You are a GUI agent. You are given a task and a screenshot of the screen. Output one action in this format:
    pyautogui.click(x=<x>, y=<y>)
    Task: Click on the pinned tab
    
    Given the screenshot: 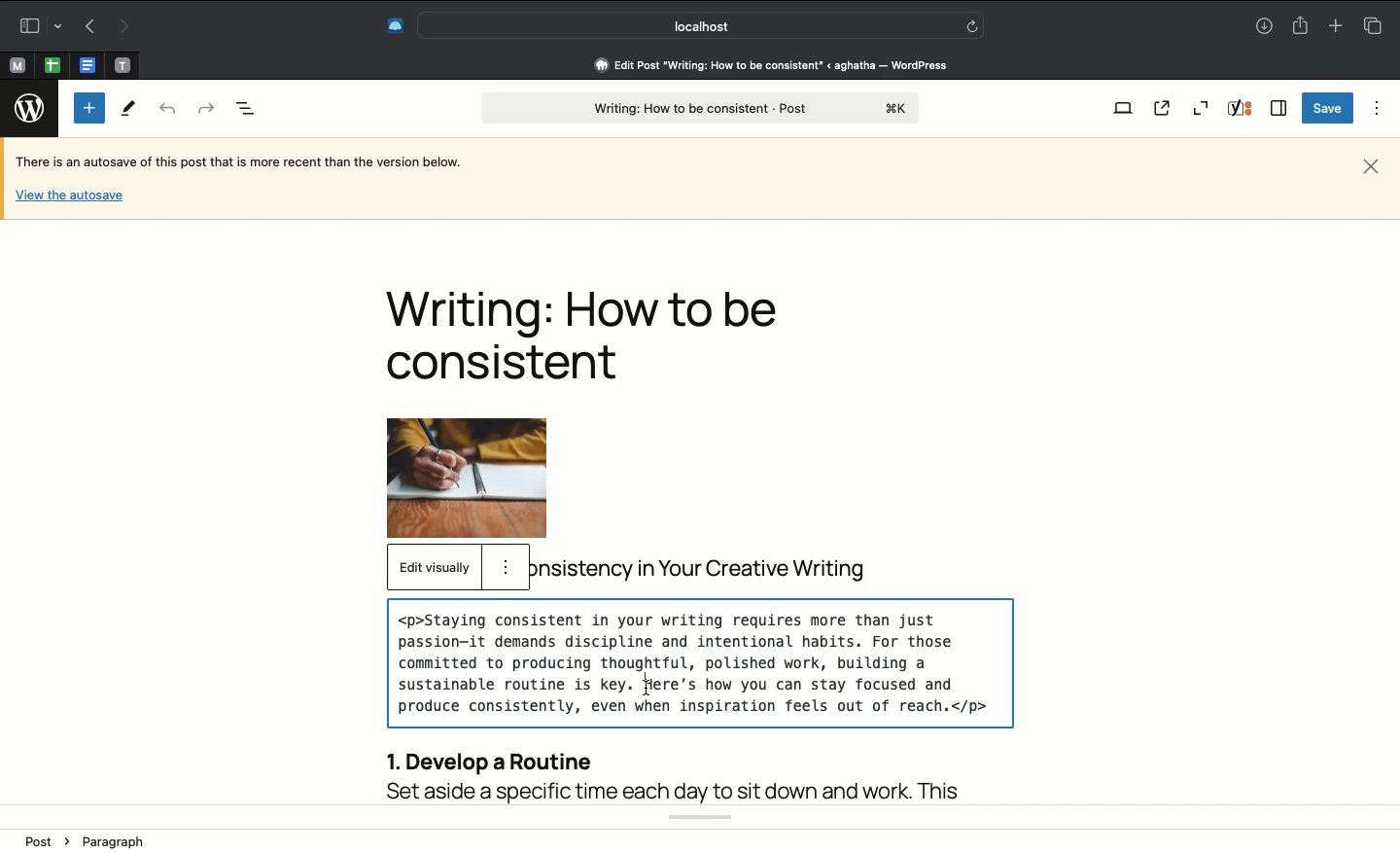 What is the action you would take?
    pyautogui.click(x=16, y=63)
    